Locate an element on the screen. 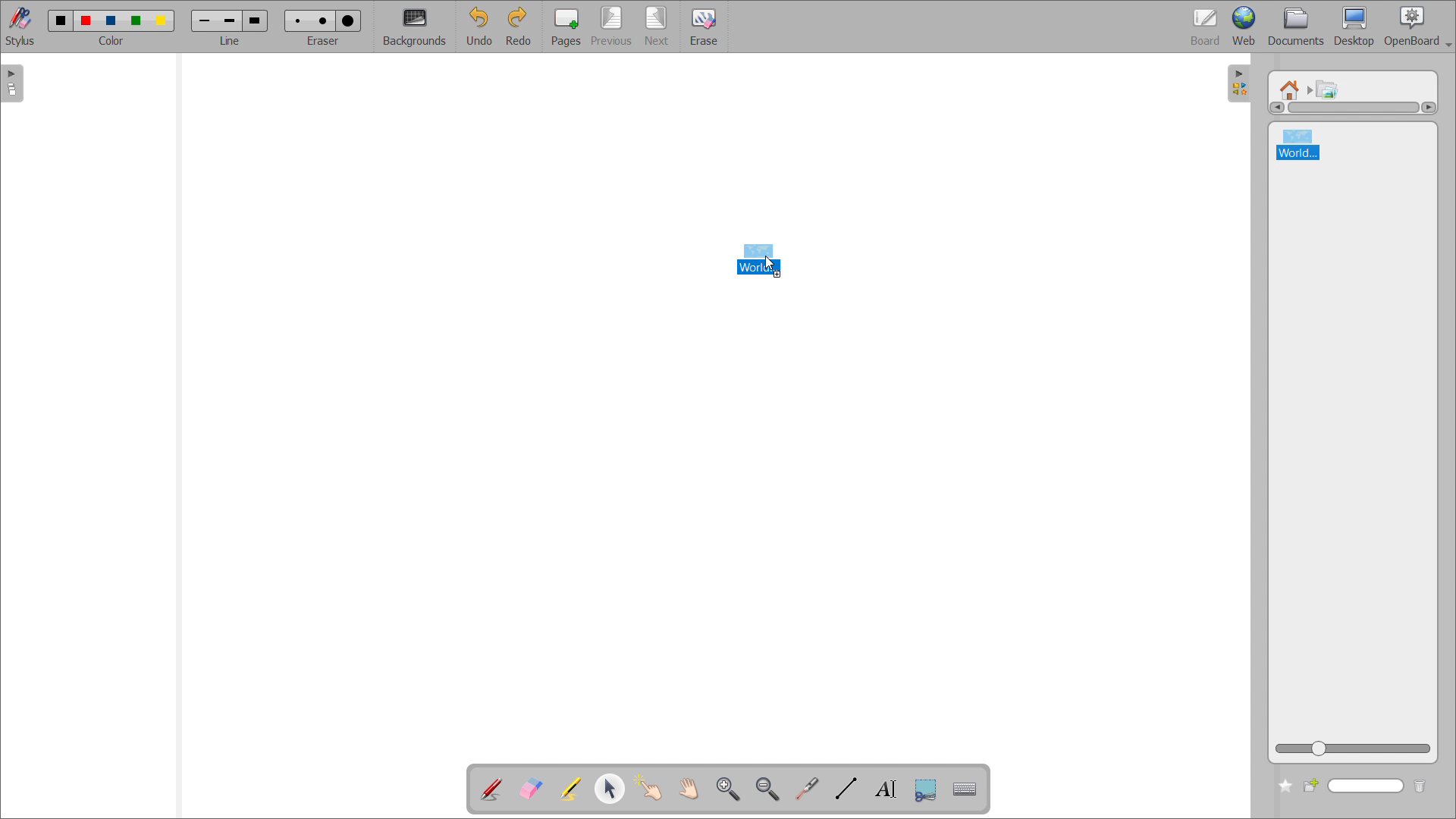 This screenshot has width=1456, height=819. virtual laser pointer is located at coordinates (806, 788).